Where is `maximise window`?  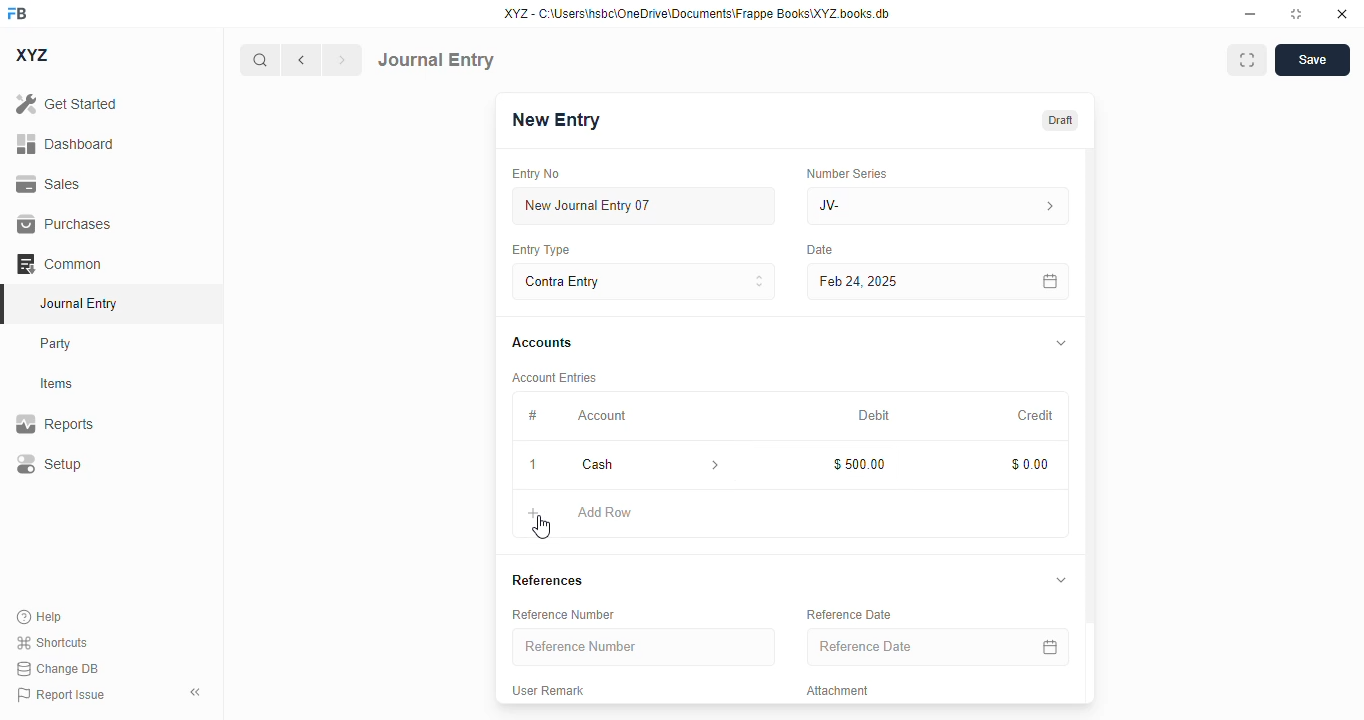
maximise window is located at coordinates (1247, 60).